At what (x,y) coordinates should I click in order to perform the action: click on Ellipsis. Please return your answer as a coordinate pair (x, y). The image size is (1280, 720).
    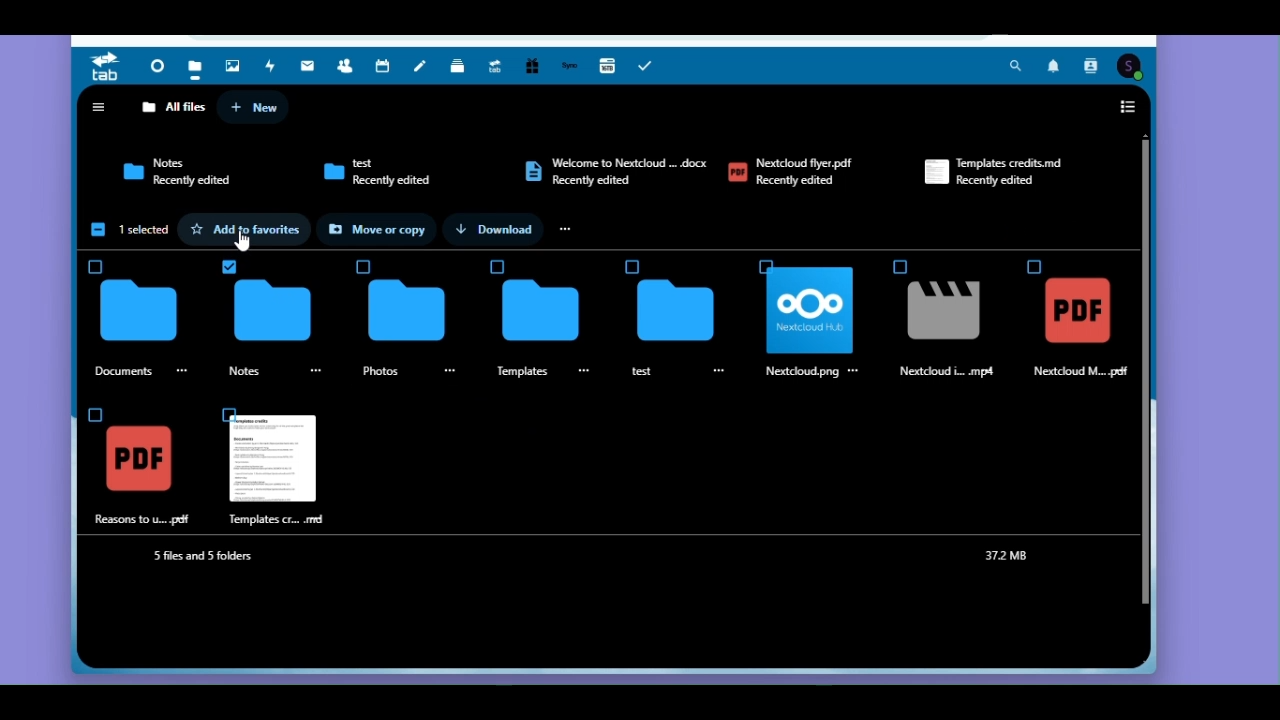
    Looking at the image, I should click on (182, 368).